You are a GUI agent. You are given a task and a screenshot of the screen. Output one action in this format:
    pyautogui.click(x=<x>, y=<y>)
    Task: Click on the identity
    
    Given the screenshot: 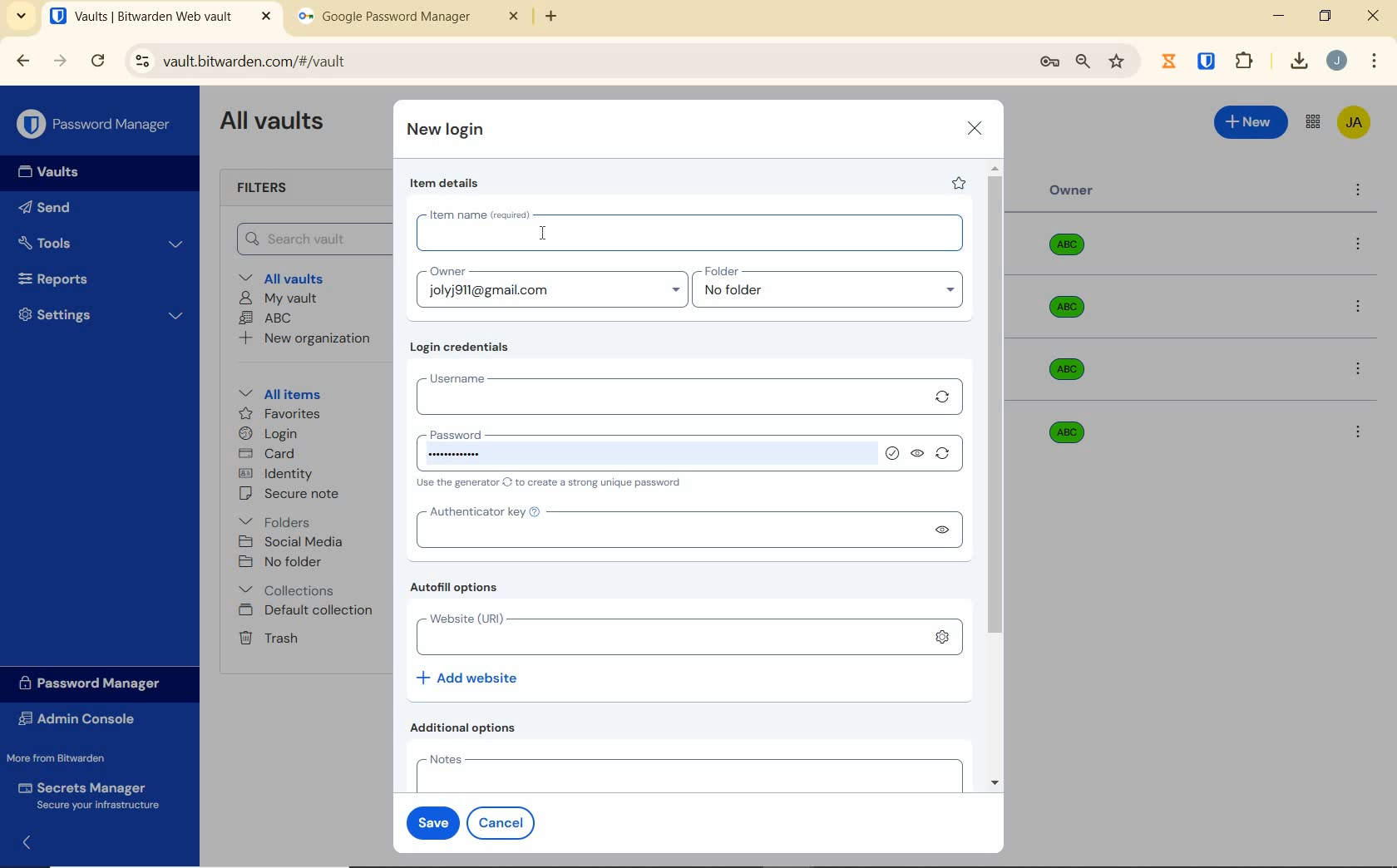 What is the action you would take?
    pyautogui.click(x=276, y=474)
    